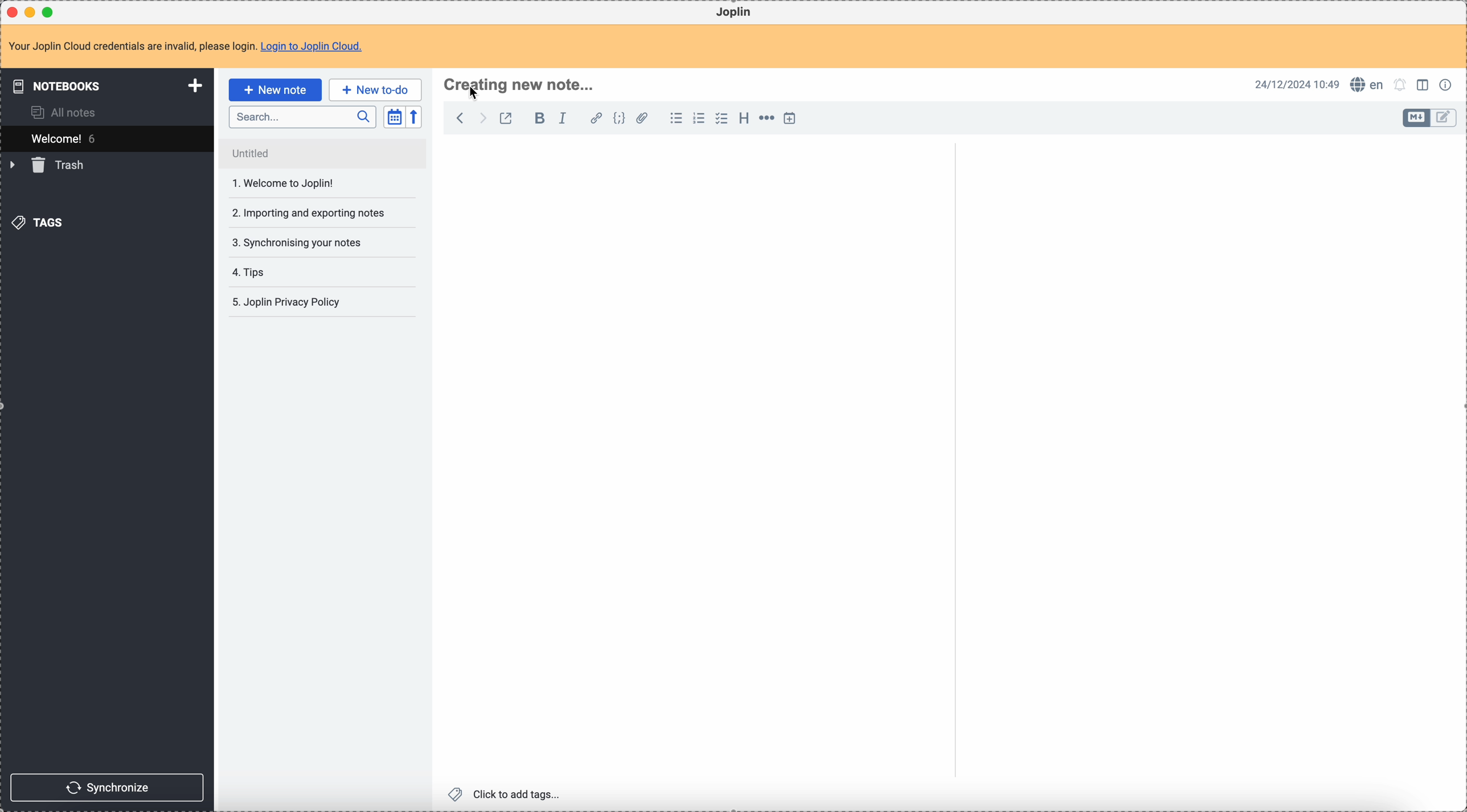  Describe the element at coordinates (476, 93) in the screenshot. I see `Cursor` at that location.